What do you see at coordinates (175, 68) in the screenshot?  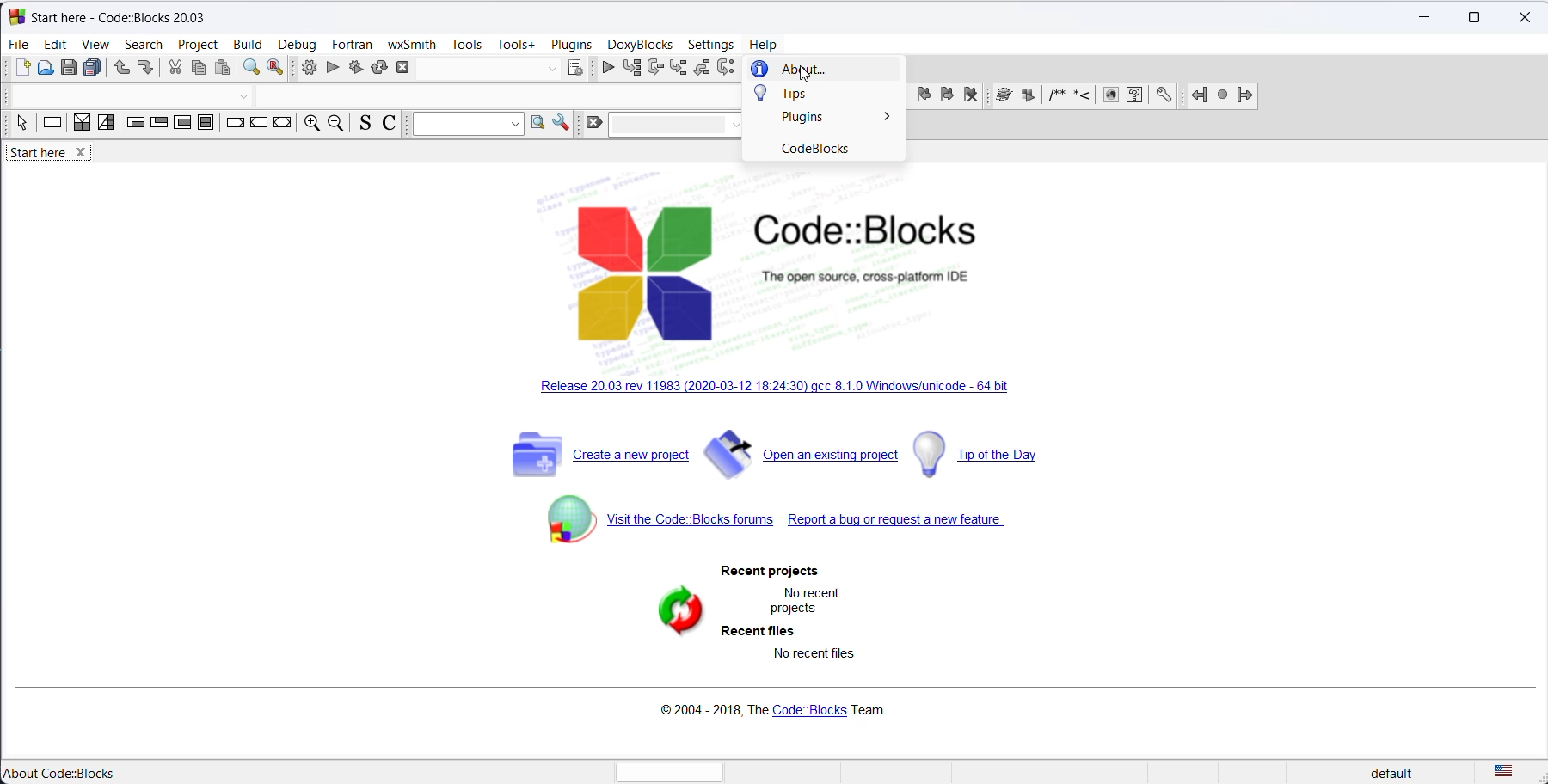 I see `cut` at bounding box center [175, 68].